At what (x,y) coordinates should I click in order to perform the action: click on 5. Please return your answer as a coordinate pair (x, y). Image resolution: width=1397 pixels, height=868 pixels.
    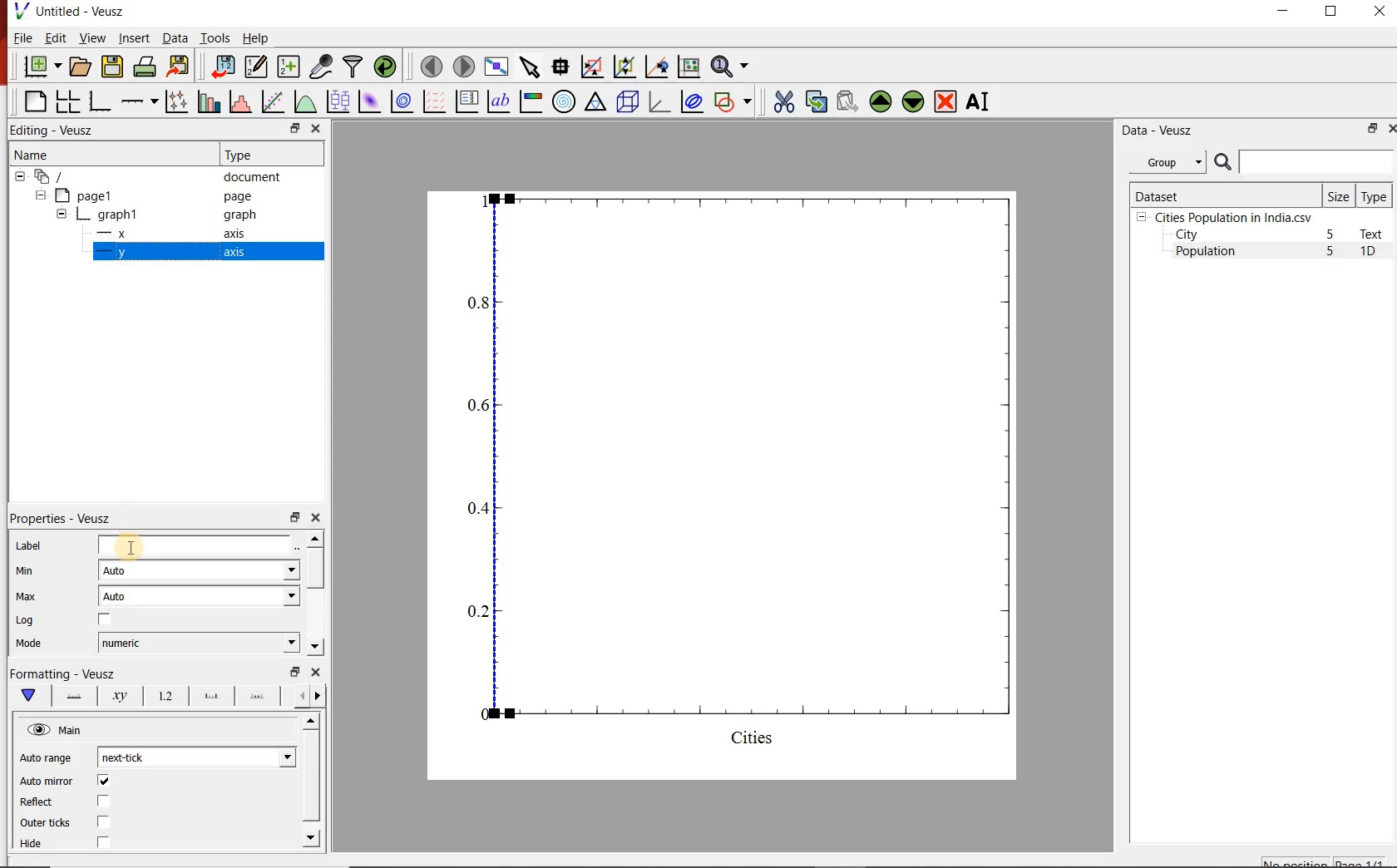
    Looking at the image, I should click on (1331, 252).